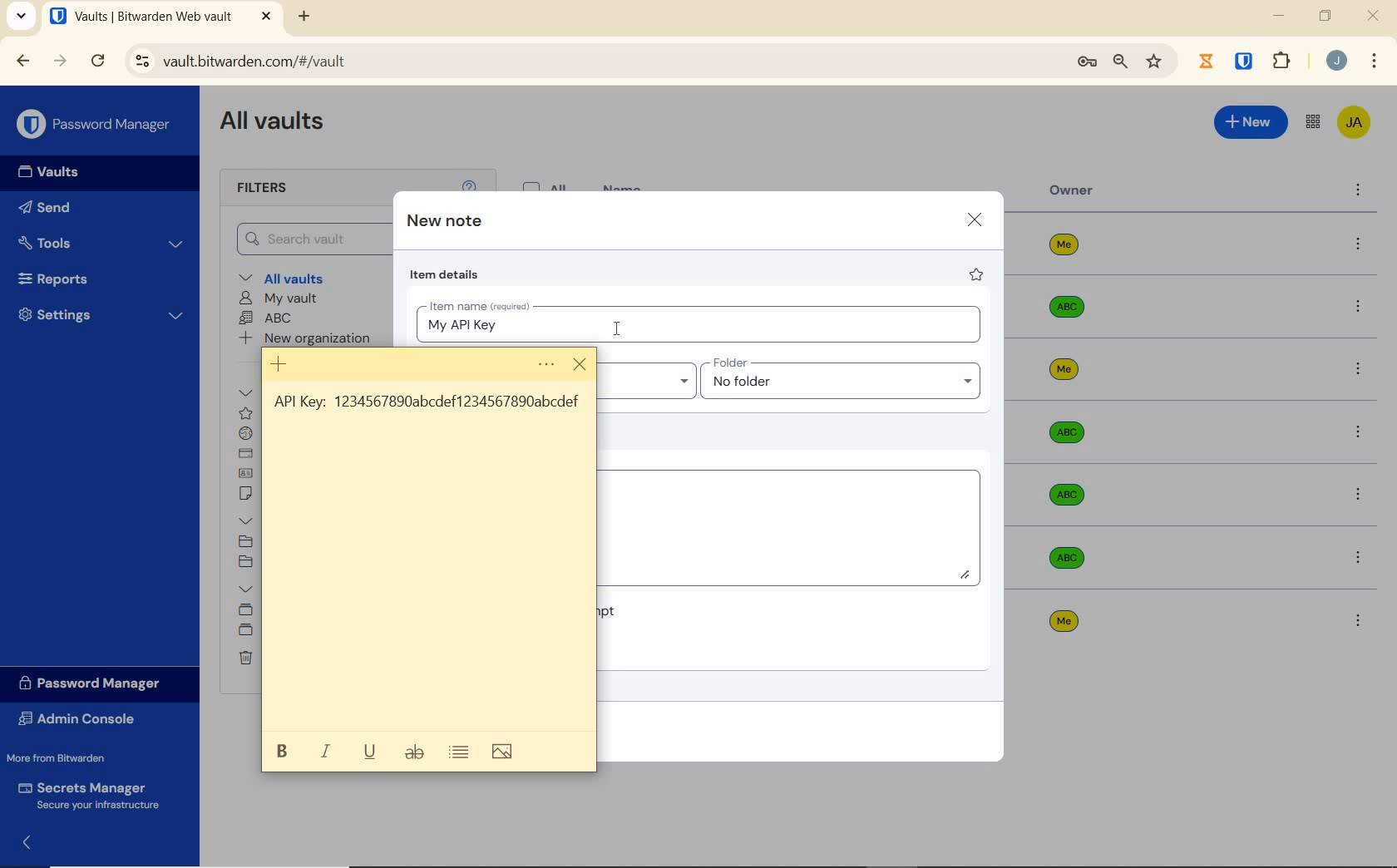  Describe the element at coordinates (1374, 62) in the screenshot. I see `customize Google chrome` at that location.